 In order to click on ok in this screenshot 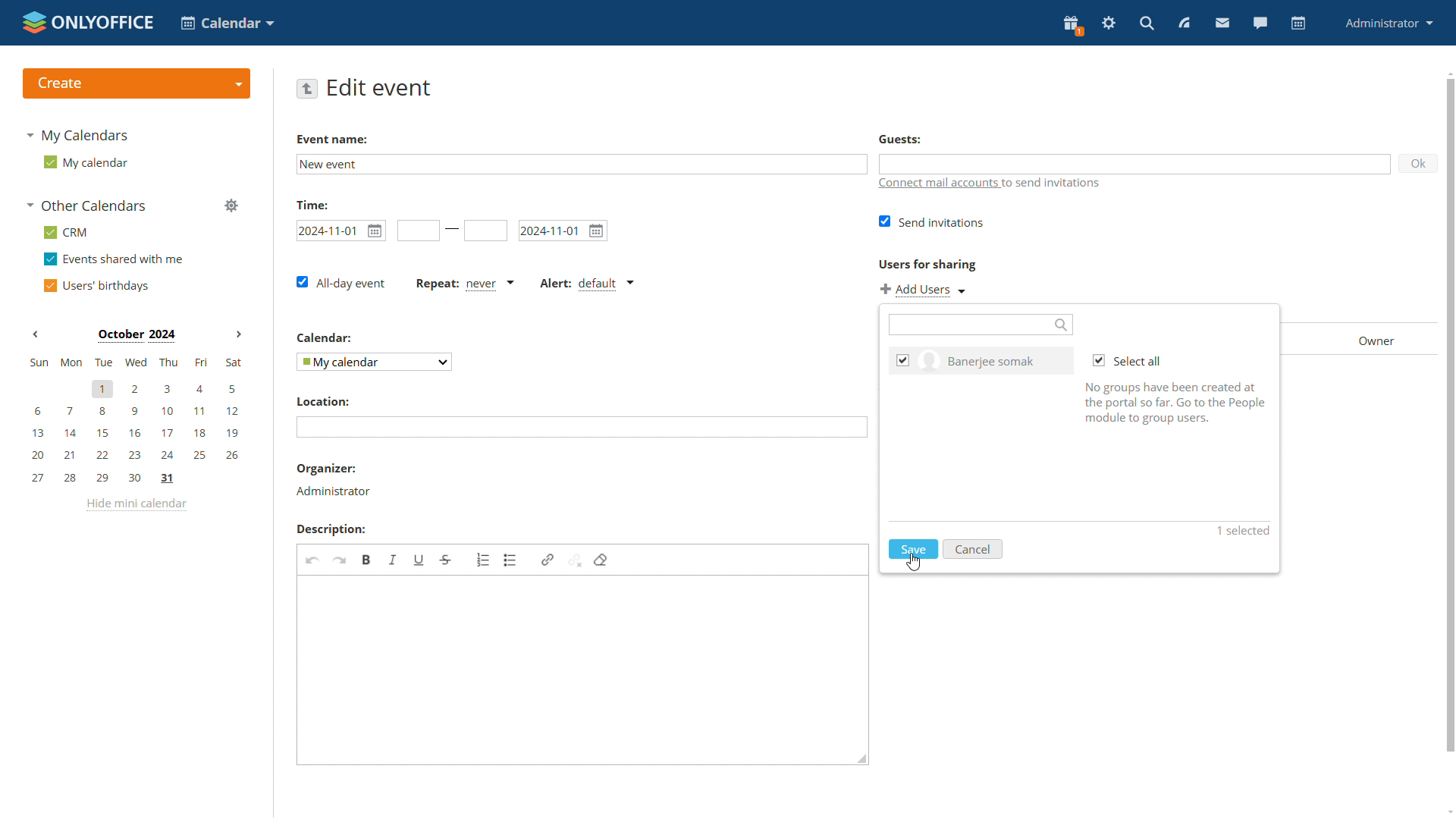, I will do `click(1419, 164)`.